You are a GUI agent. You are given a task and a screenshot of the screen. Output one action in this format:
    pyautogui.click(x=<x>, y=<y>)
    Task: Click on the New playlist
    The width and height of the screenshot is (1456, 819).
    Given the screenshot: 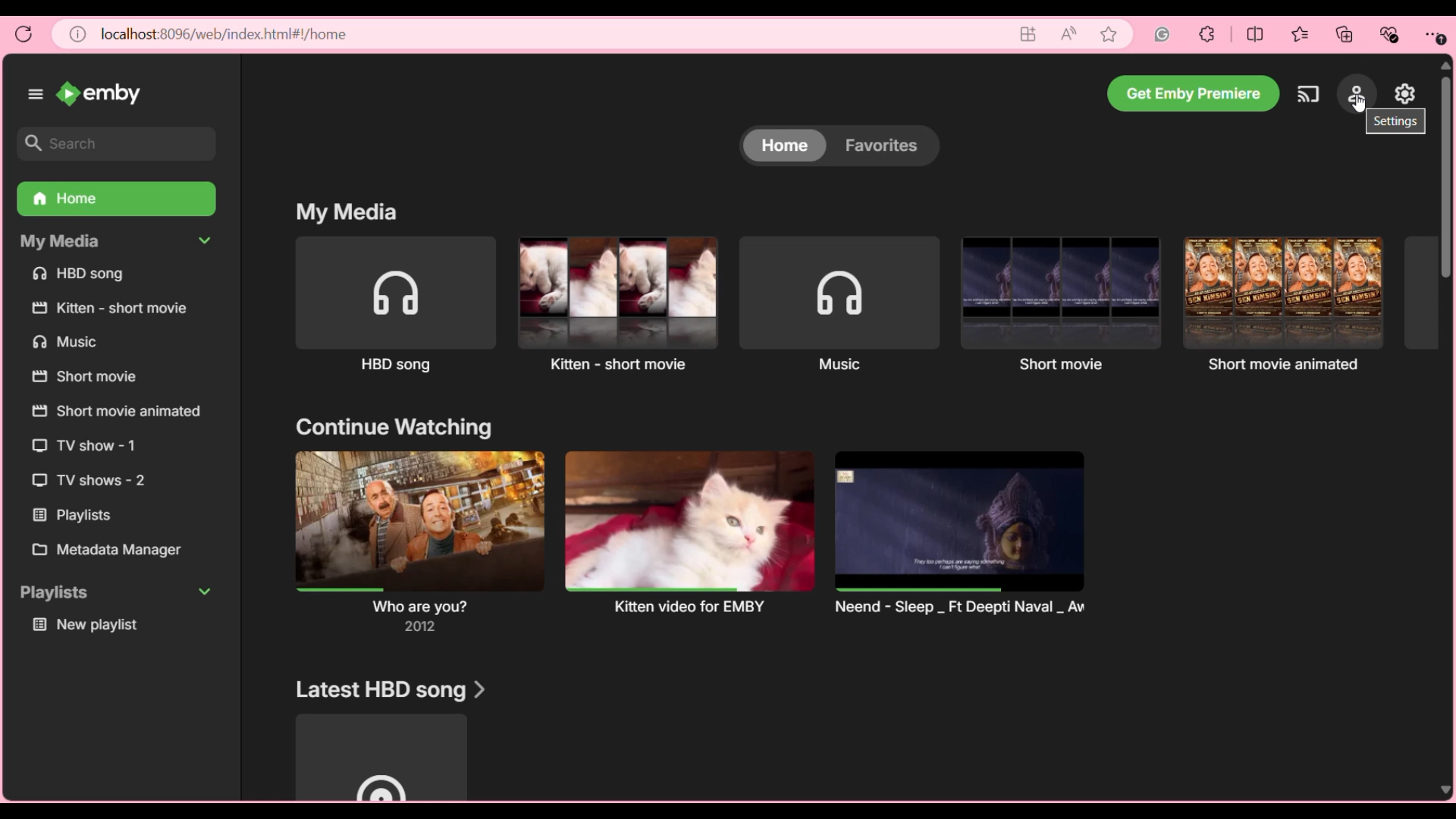 What is the action you would take?
    pyautogui.click(x=89, y=627)
    